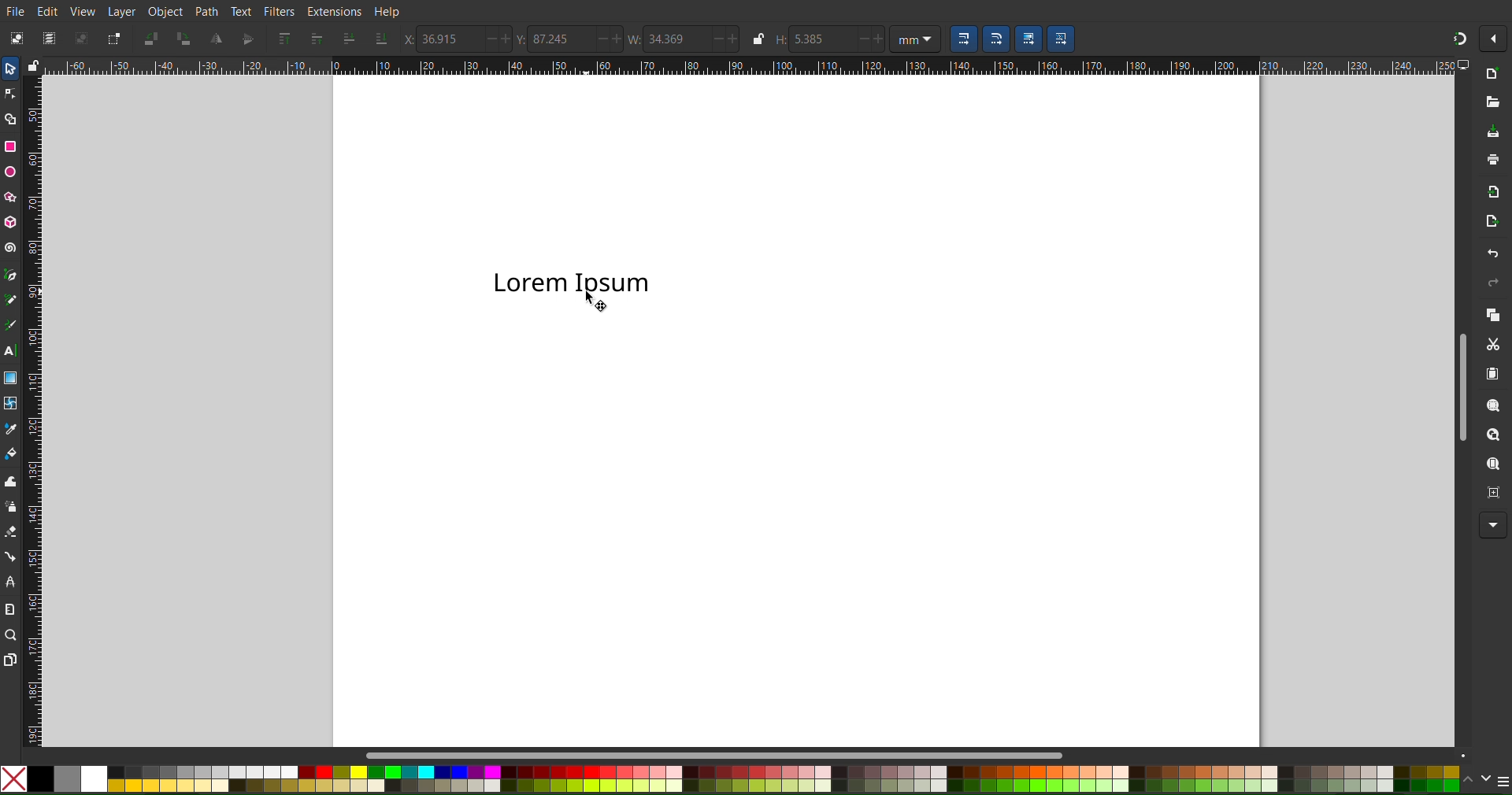 The image size is (1512, 795). Describe the element at coordinates (1488, 405) in the screenshot. I see `Zoom Selection` at that location.